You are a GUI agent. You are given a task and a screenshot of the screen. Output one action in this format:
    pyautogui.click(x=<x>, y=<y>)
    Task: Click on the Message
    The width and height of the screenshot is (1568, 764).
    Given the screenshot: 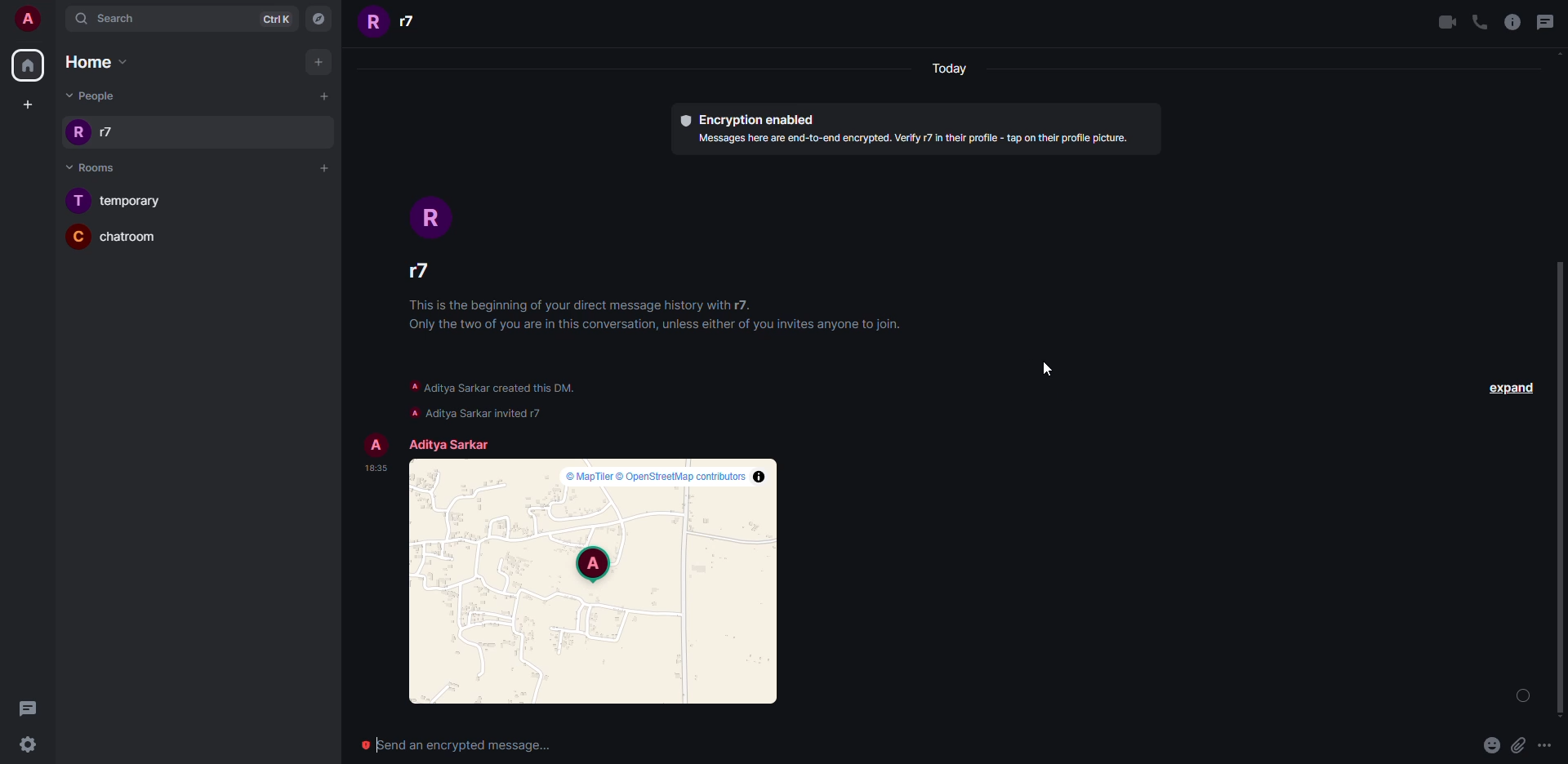 What is the action you would take?
    pyautogui.click(x=31, y=709)
    